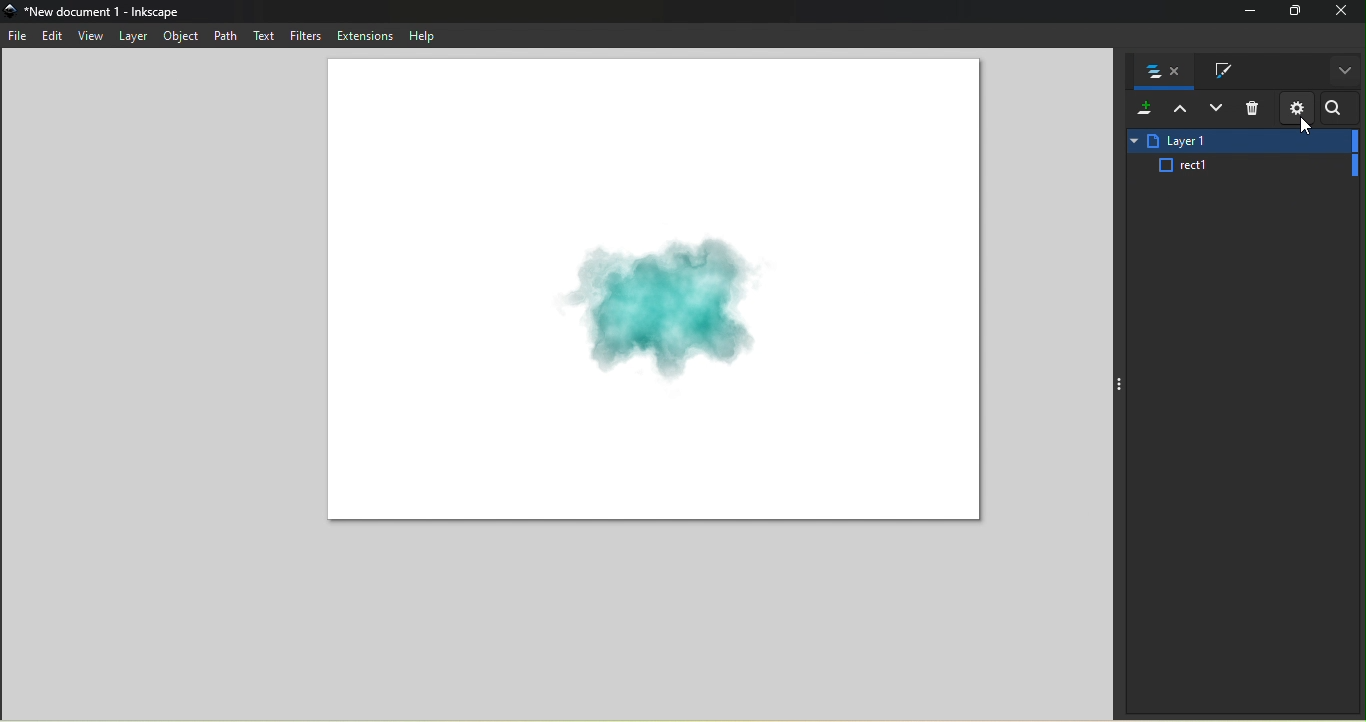  What do you see at coordinates (1215, 72) in the screenshot?
I see `Fill and stroke` at bounding box center [1215, 72].